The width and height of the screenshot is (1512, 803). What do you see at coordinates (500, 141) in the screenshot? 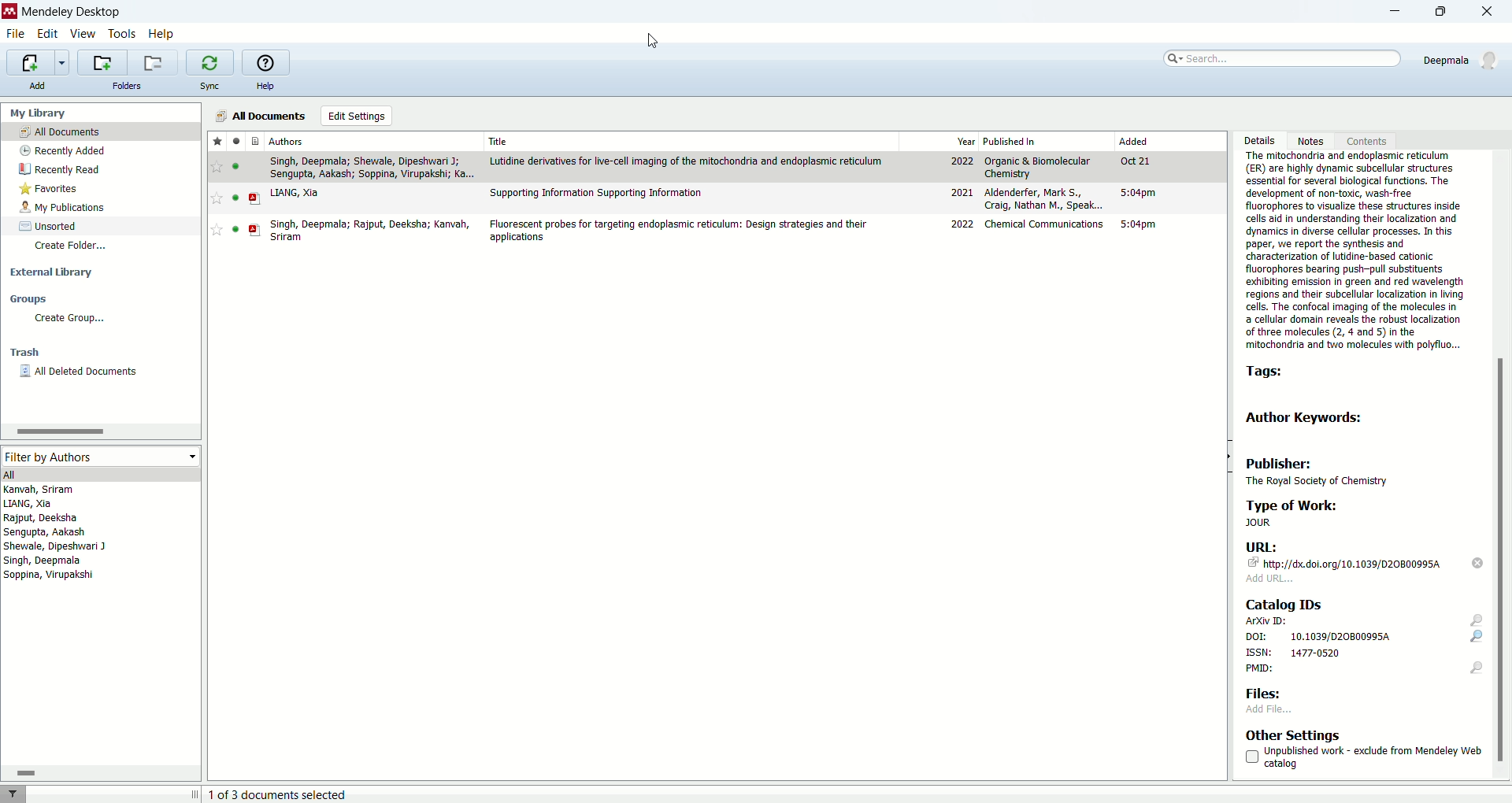
I see `title` at bounding box center [500, 141].